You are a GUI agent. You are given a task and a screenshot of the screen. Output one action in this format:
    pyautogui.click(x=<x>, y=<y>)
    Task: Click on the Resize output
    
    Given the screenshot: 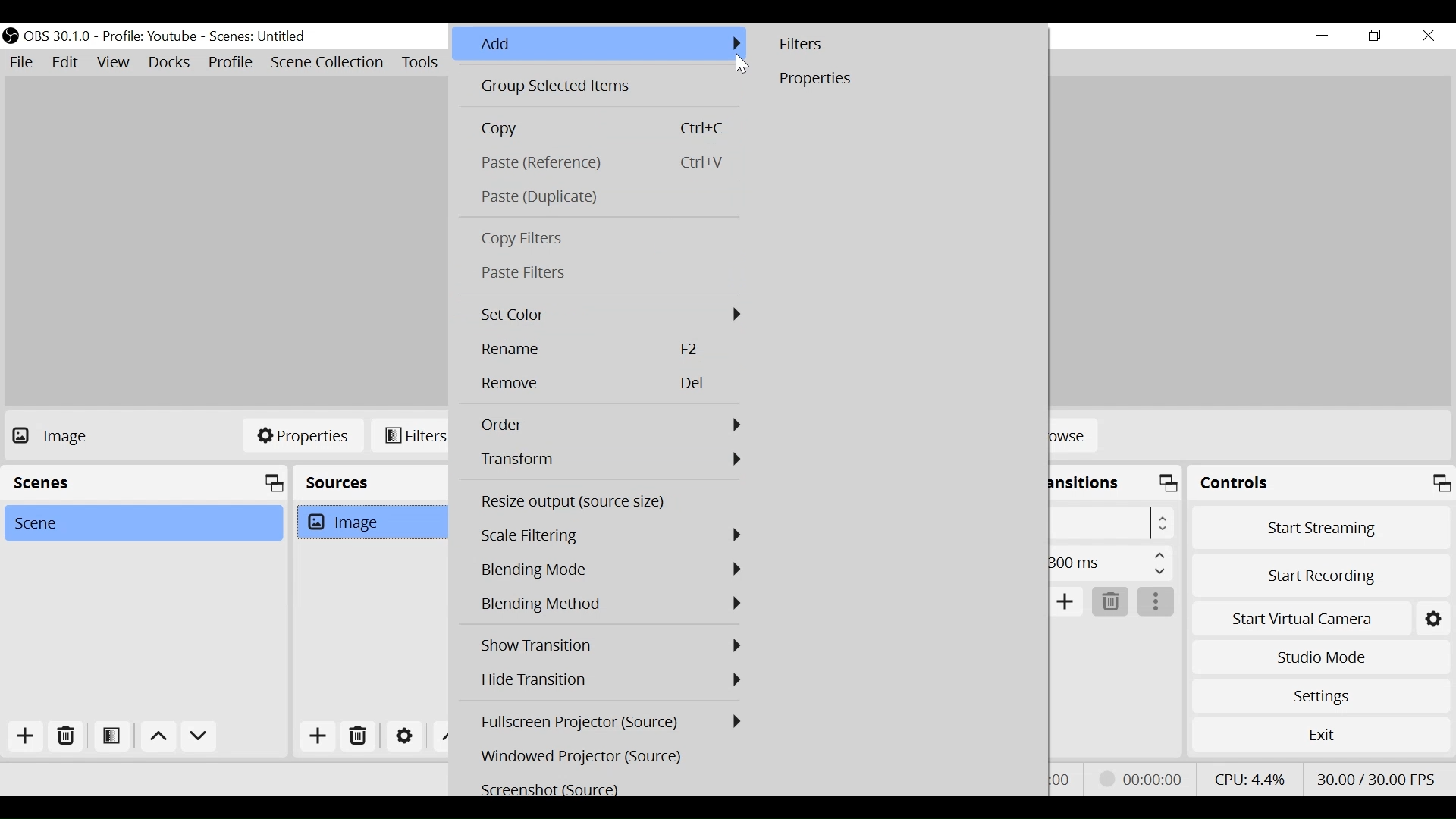 What is the action you would take?
    pyautogui.click(x=611, y=503)
    